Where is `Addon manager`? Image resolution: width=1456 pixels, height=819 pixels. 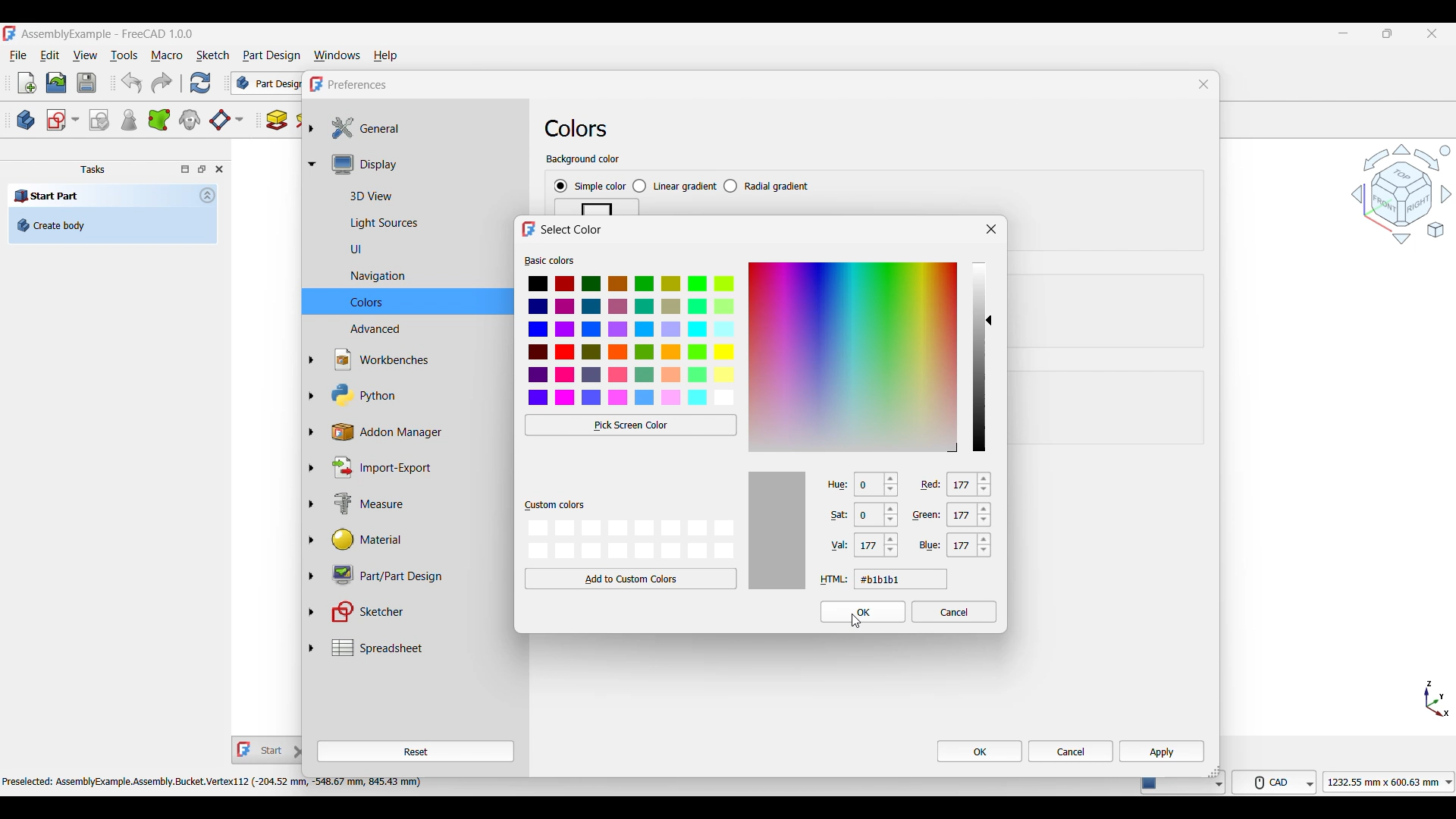 Addon manager is located at coordinates (417, 432).